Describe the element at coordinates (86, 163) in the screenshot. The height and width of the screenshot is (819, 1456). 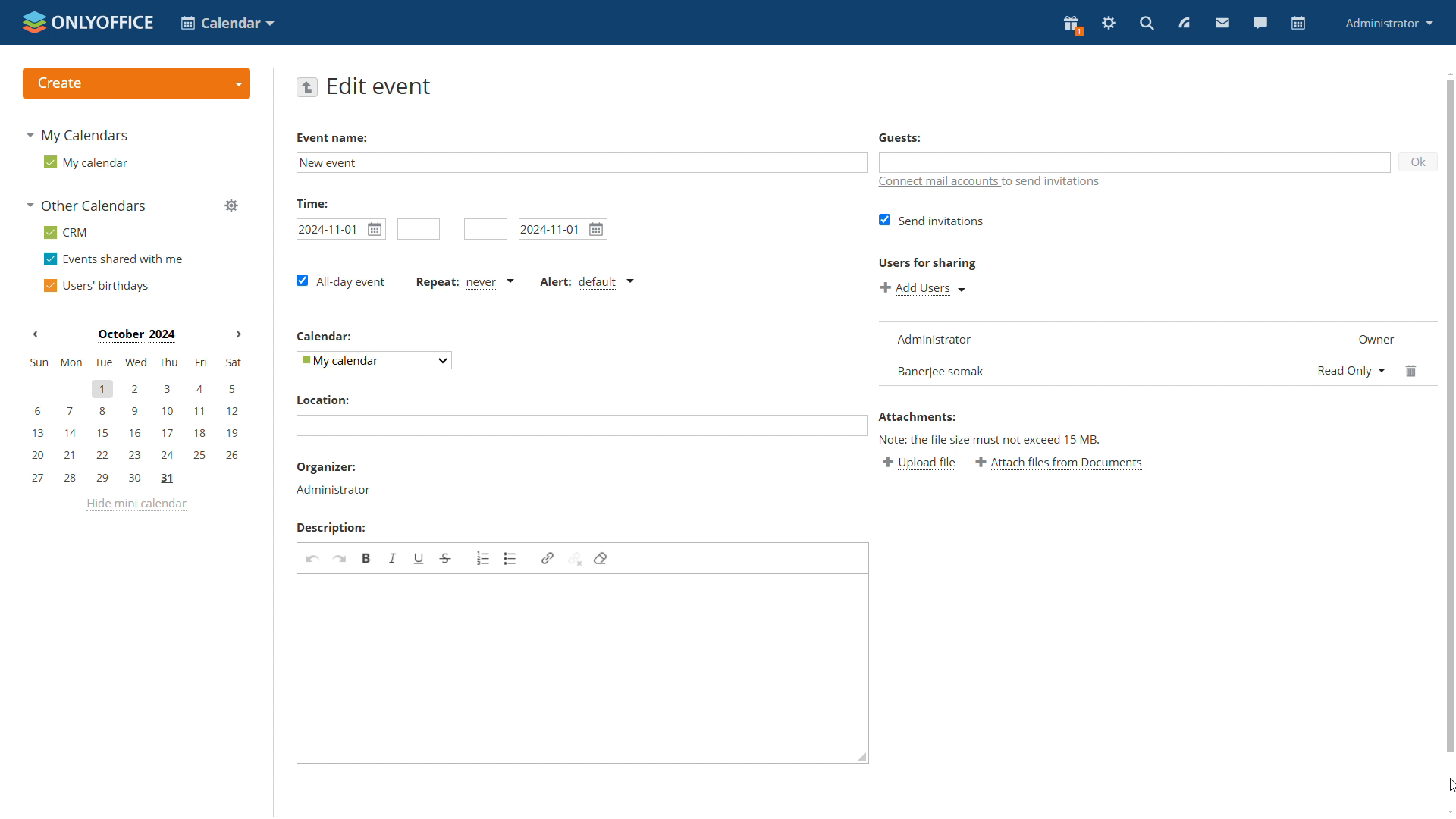
I see `my calendar` at that location.